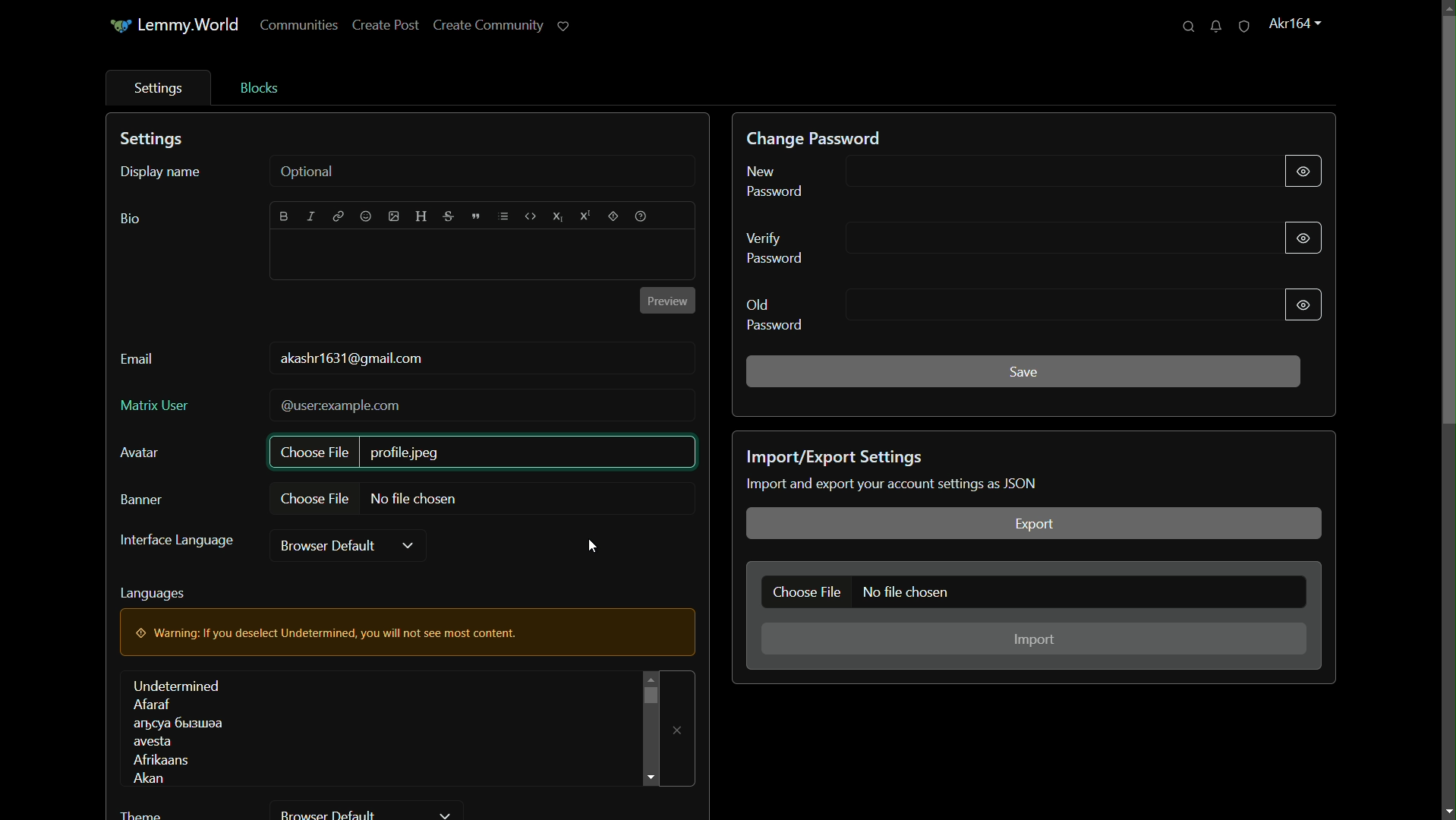 The width and height of the screenshot is (1456, 820). What do you see at coordinates (807, 591) in the screenshot?
I see `choose file` at bounding box center [807, 591].